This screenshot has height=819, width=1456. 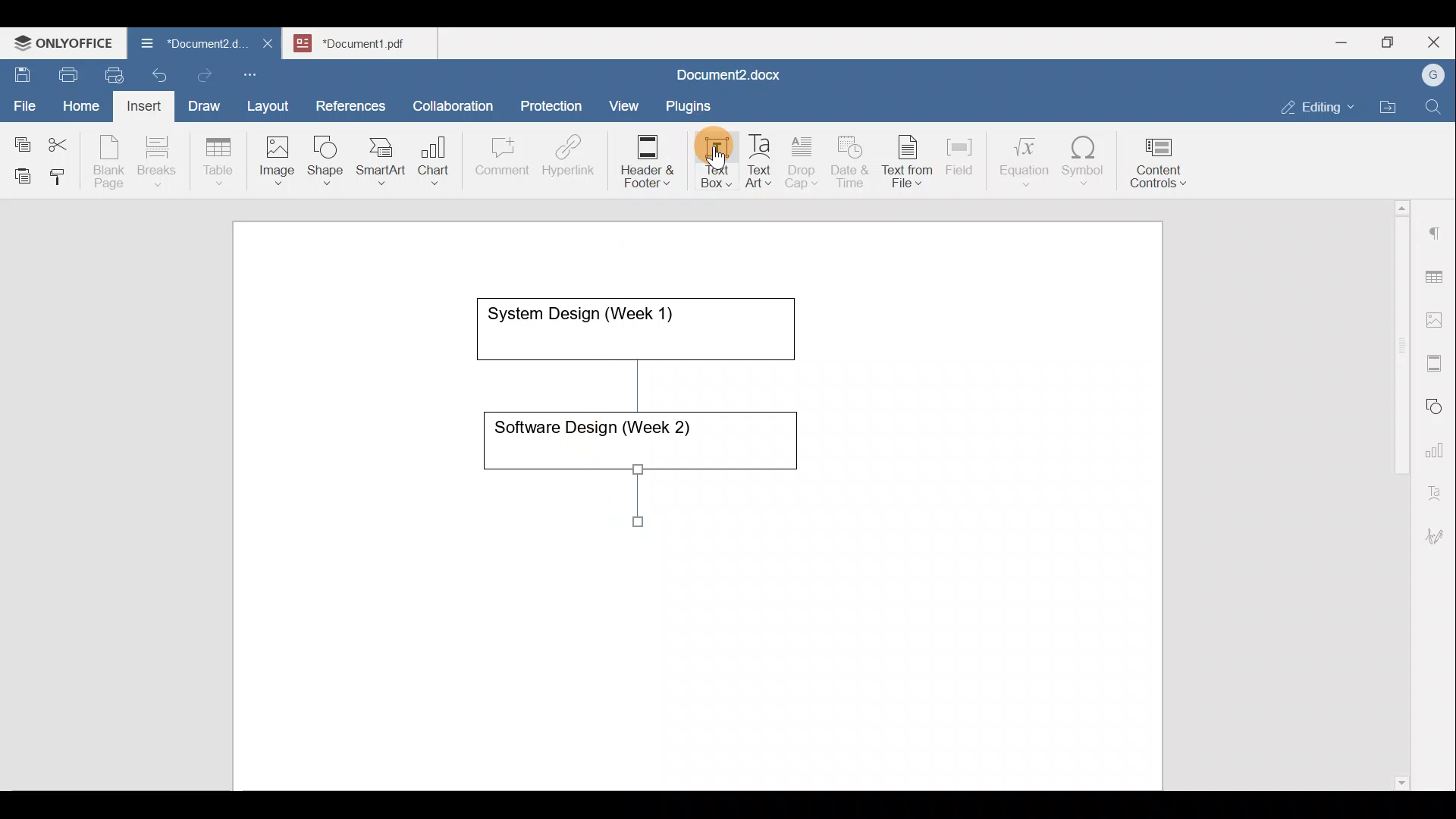 I want to click on Paragraph settings, so click(x=1436, y=227).